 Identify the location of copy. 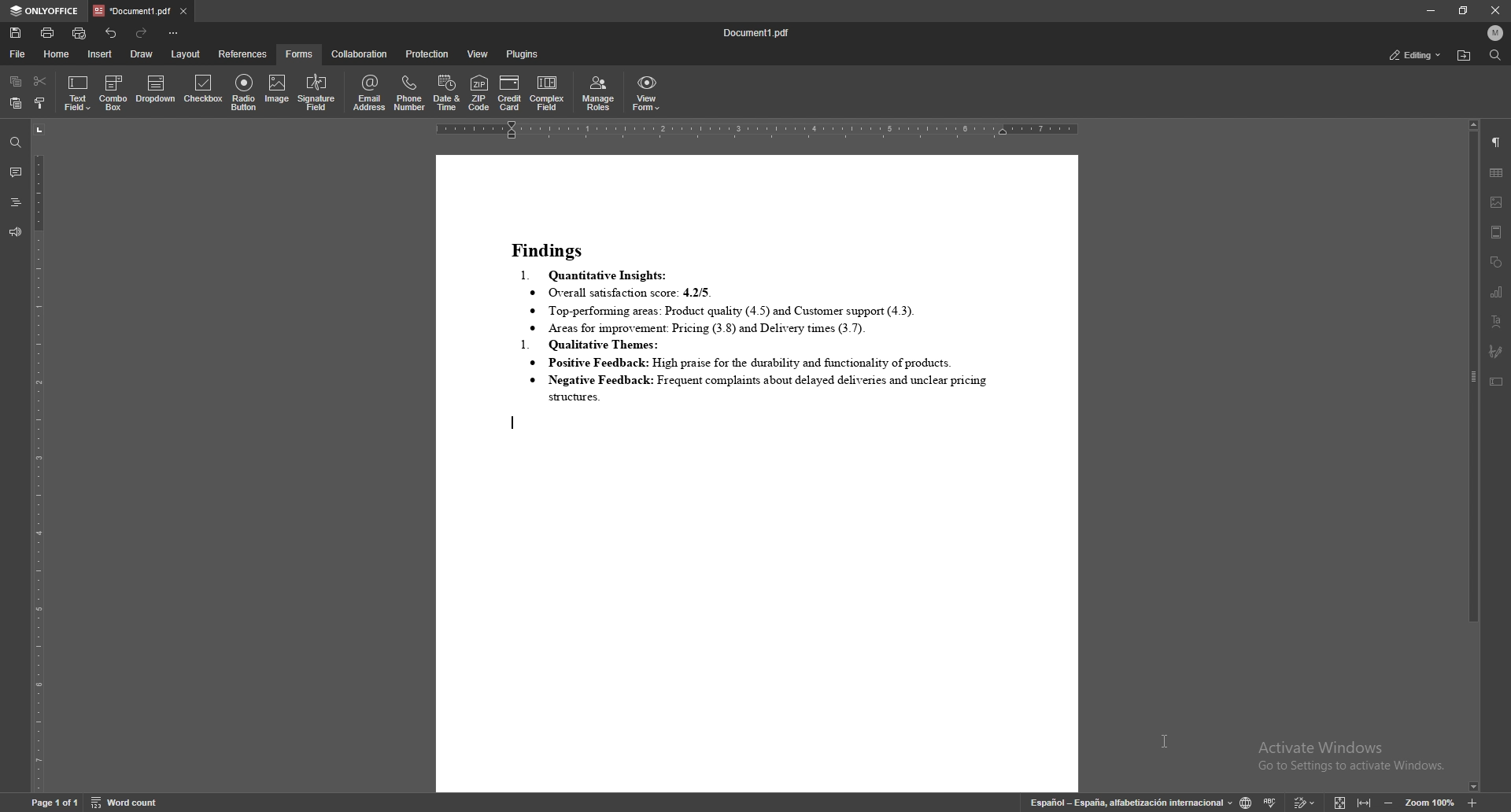
(16, 81).